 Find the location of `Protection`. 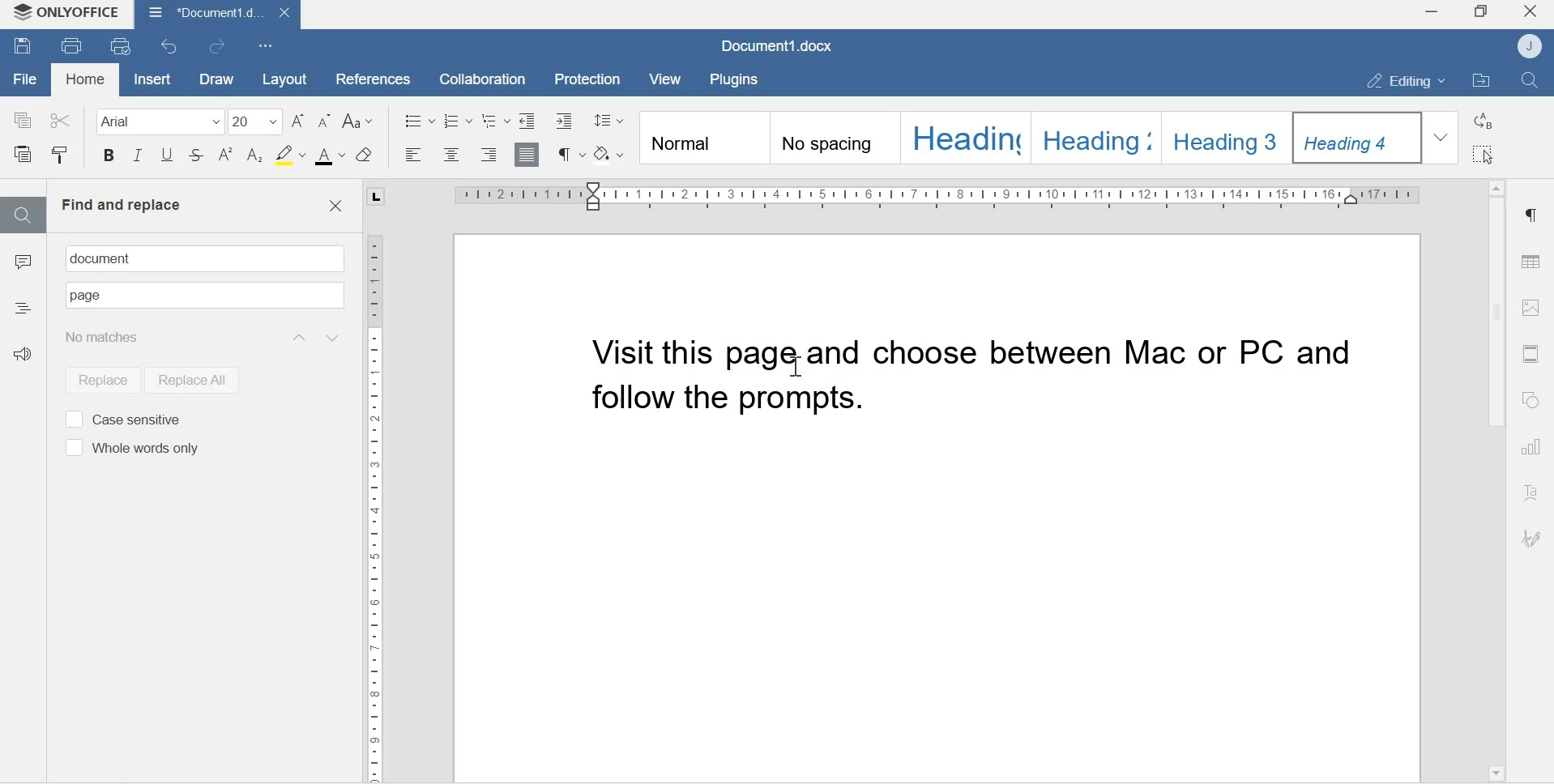

Protection is located at coordinates (589, 78).